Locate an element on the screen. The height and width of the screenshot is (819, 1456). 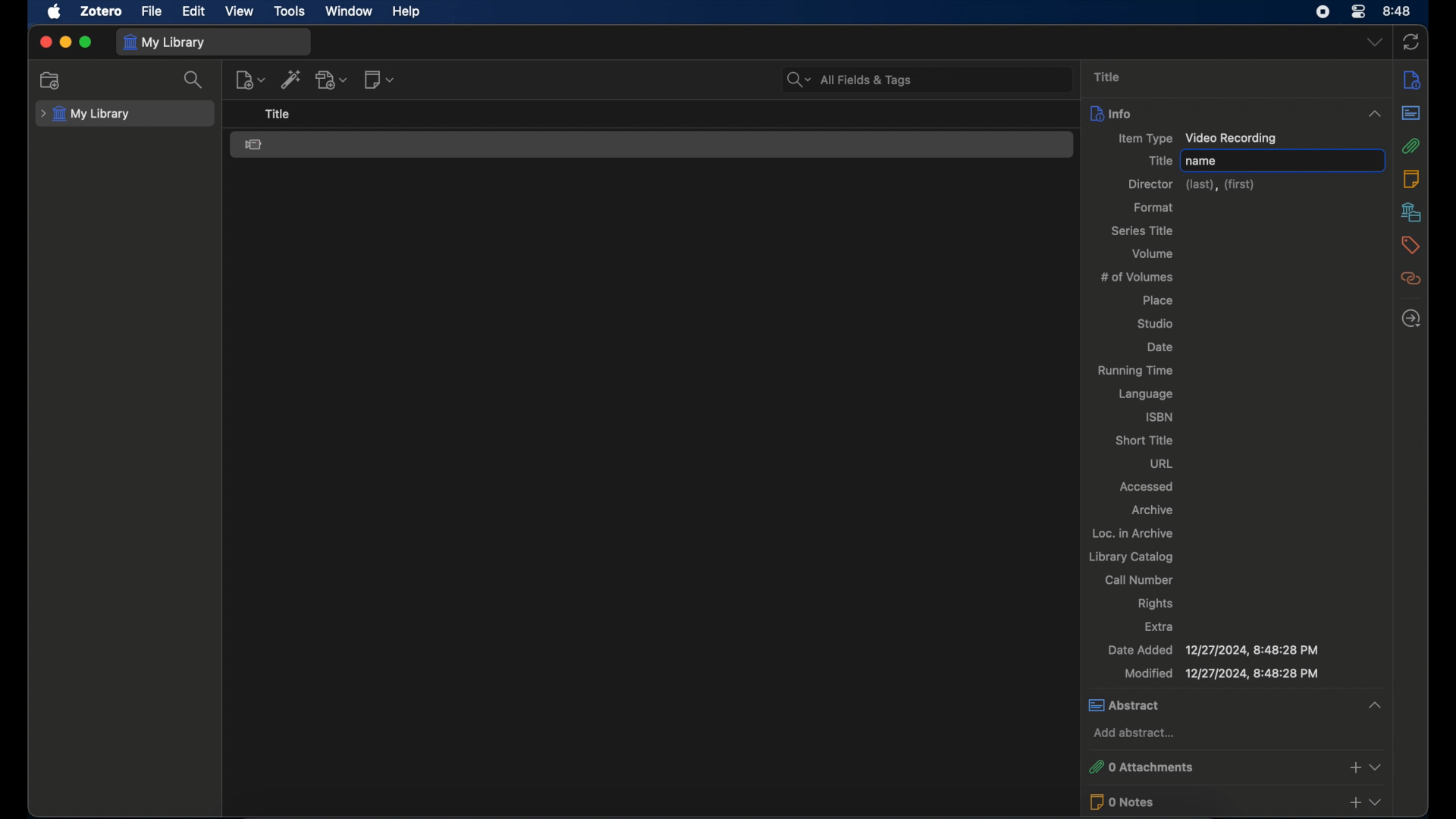
tags is located at coordinates (1410, 245).